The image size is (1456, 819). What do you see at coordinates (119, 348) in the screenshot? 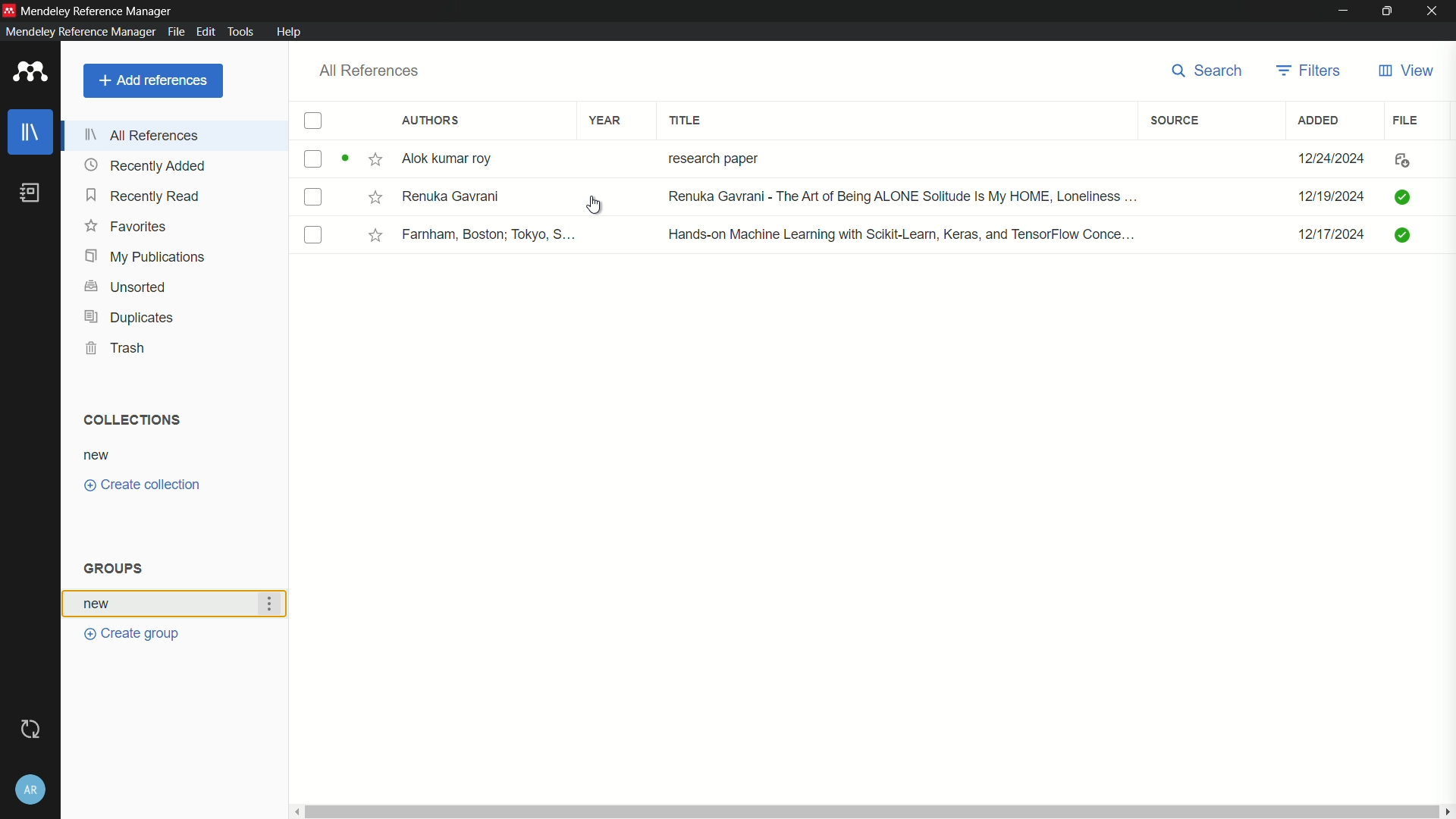
I see `trash` at bounding box center [119, 348].